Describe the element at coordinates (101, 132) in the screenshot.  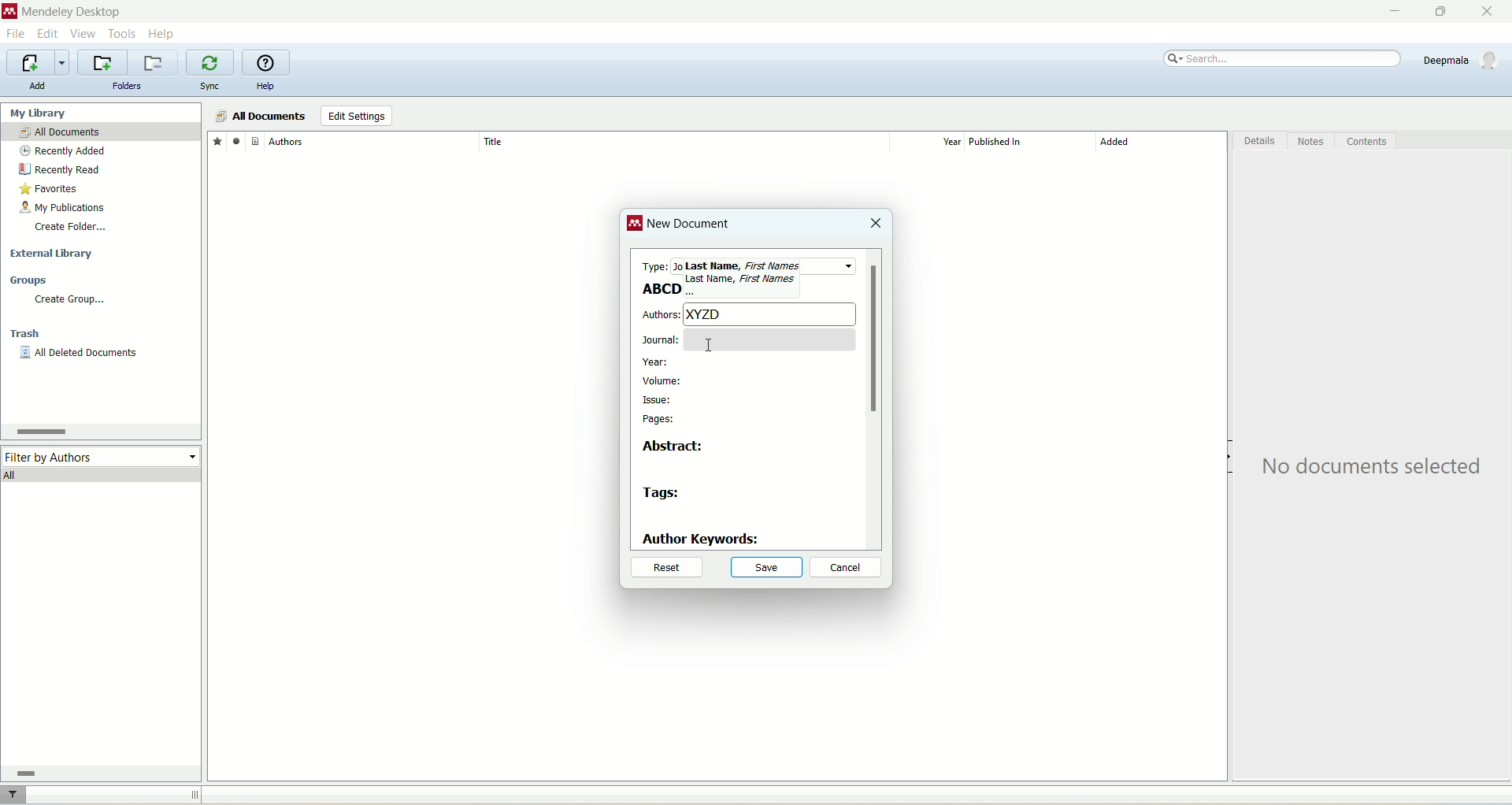
I see `all documents` at that location.